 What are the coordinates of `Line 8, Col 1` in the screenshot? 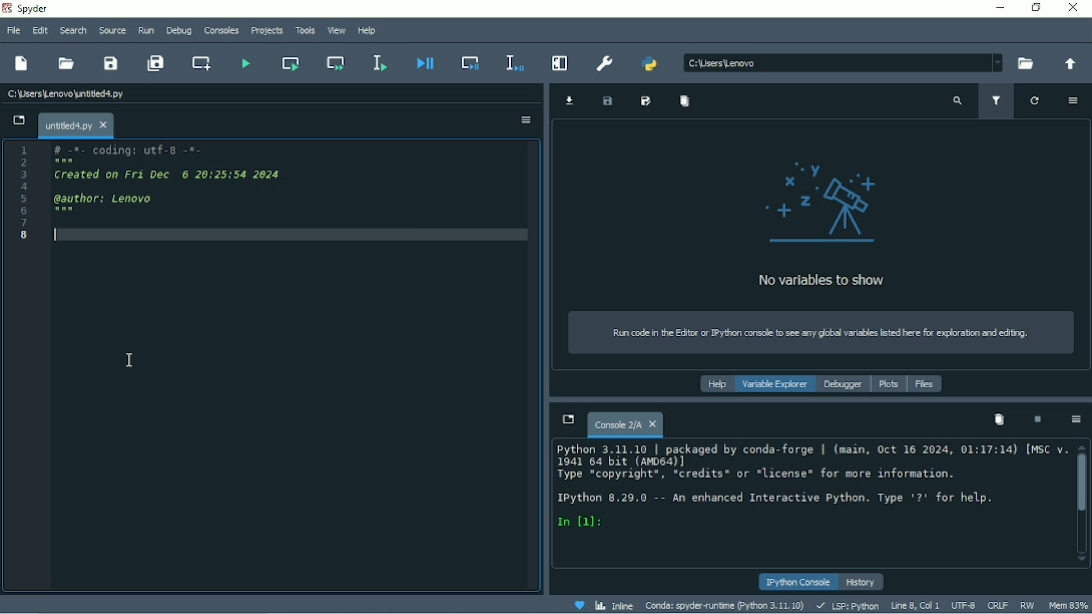 It's located at (914, 605).